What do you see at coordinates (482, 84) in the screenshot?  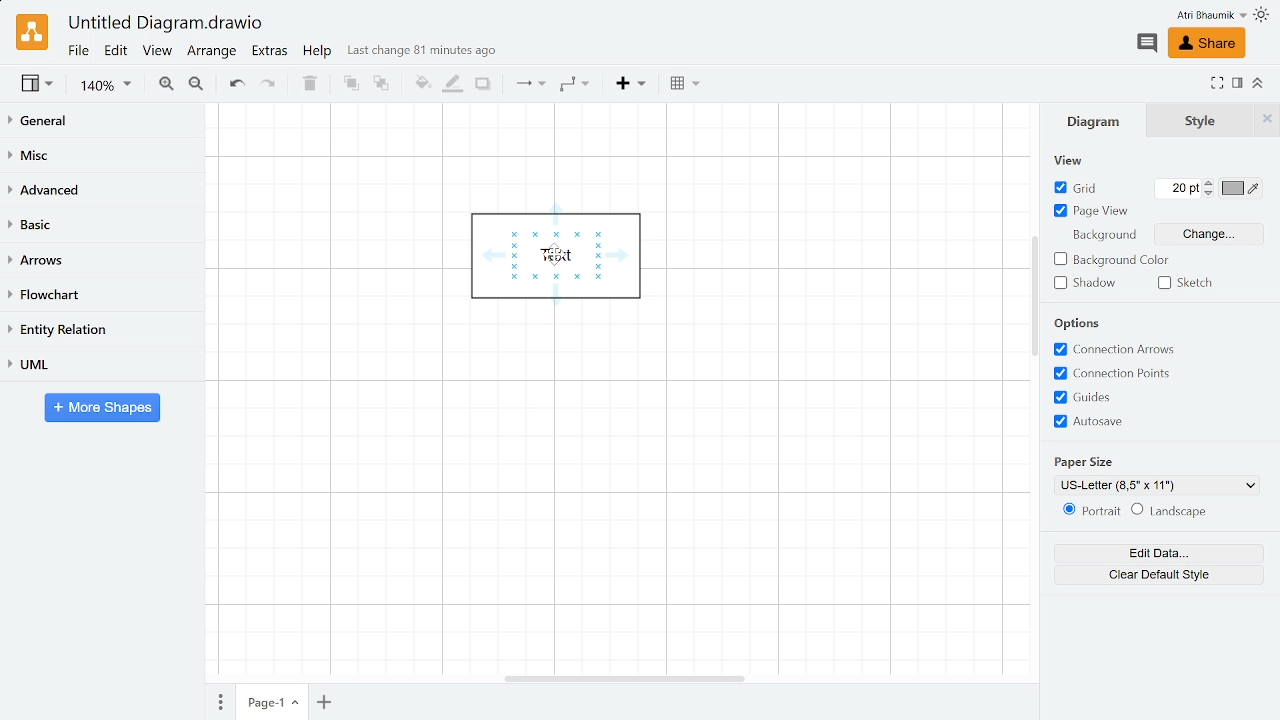 I see `Shadow` at bounding box center [482, 84].